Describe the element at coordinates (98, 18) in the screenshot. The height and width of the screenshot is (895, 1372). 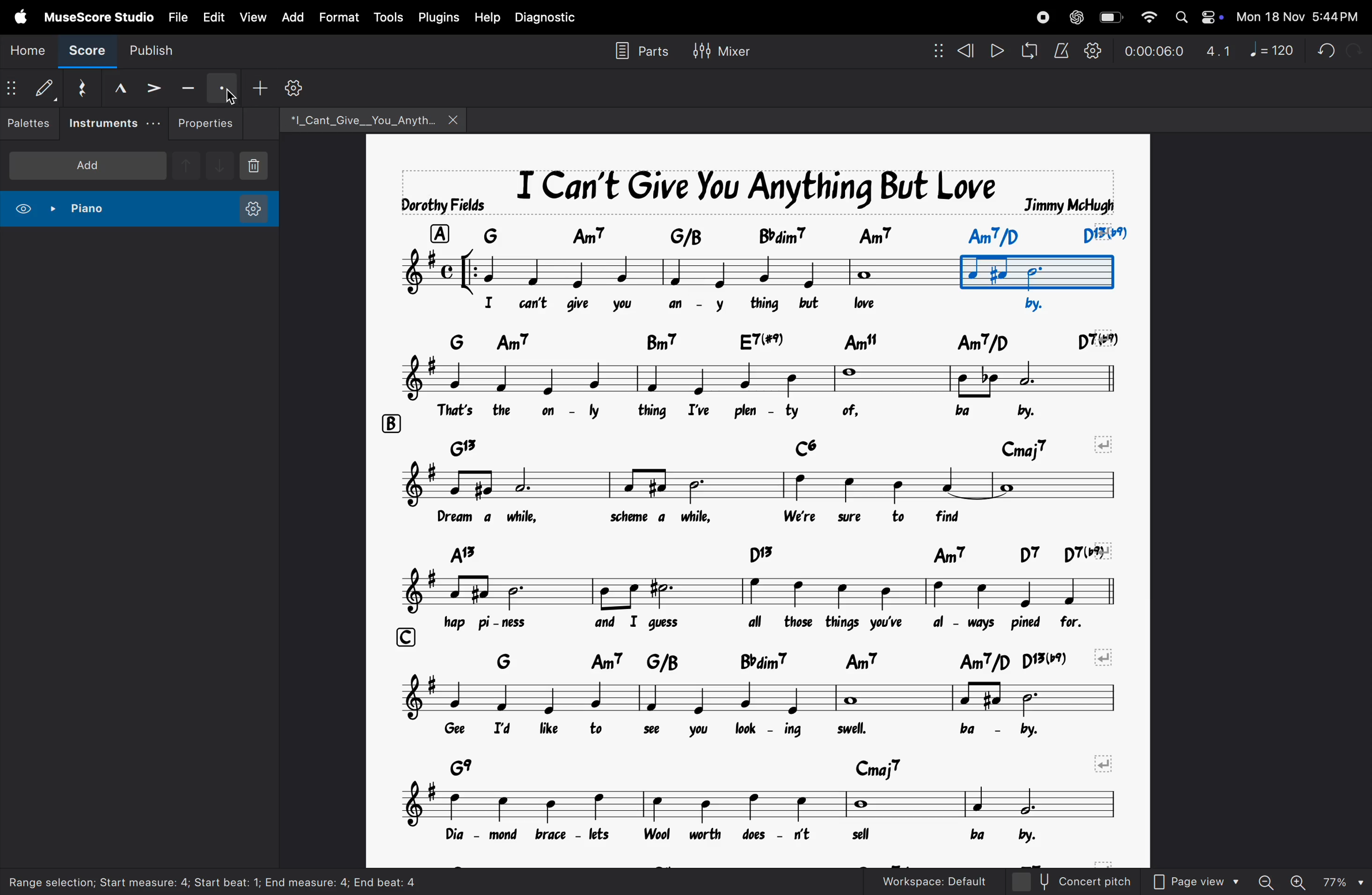
I see `musescore studio` at that location.